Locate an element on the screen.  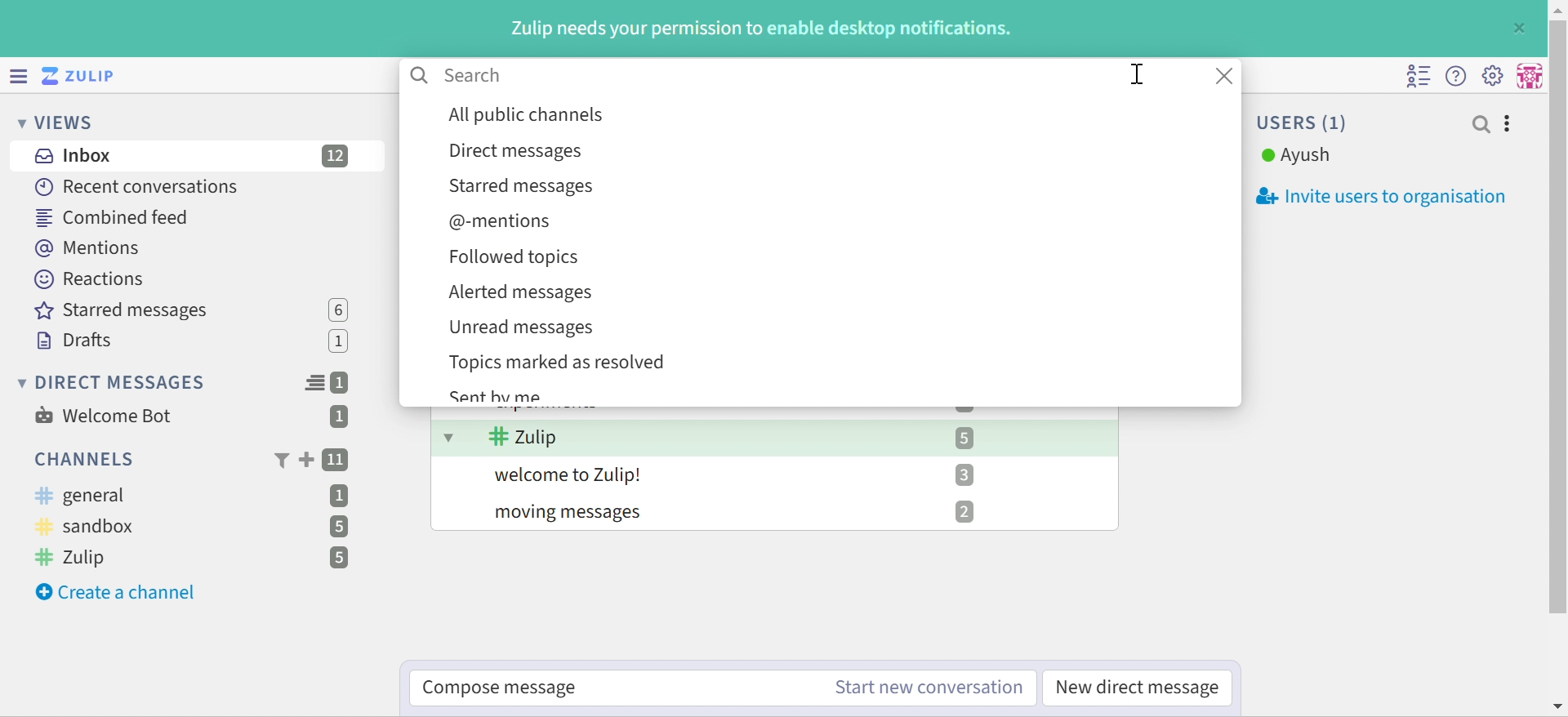
Invite users to organisation is located at coordinates (1373, 197).